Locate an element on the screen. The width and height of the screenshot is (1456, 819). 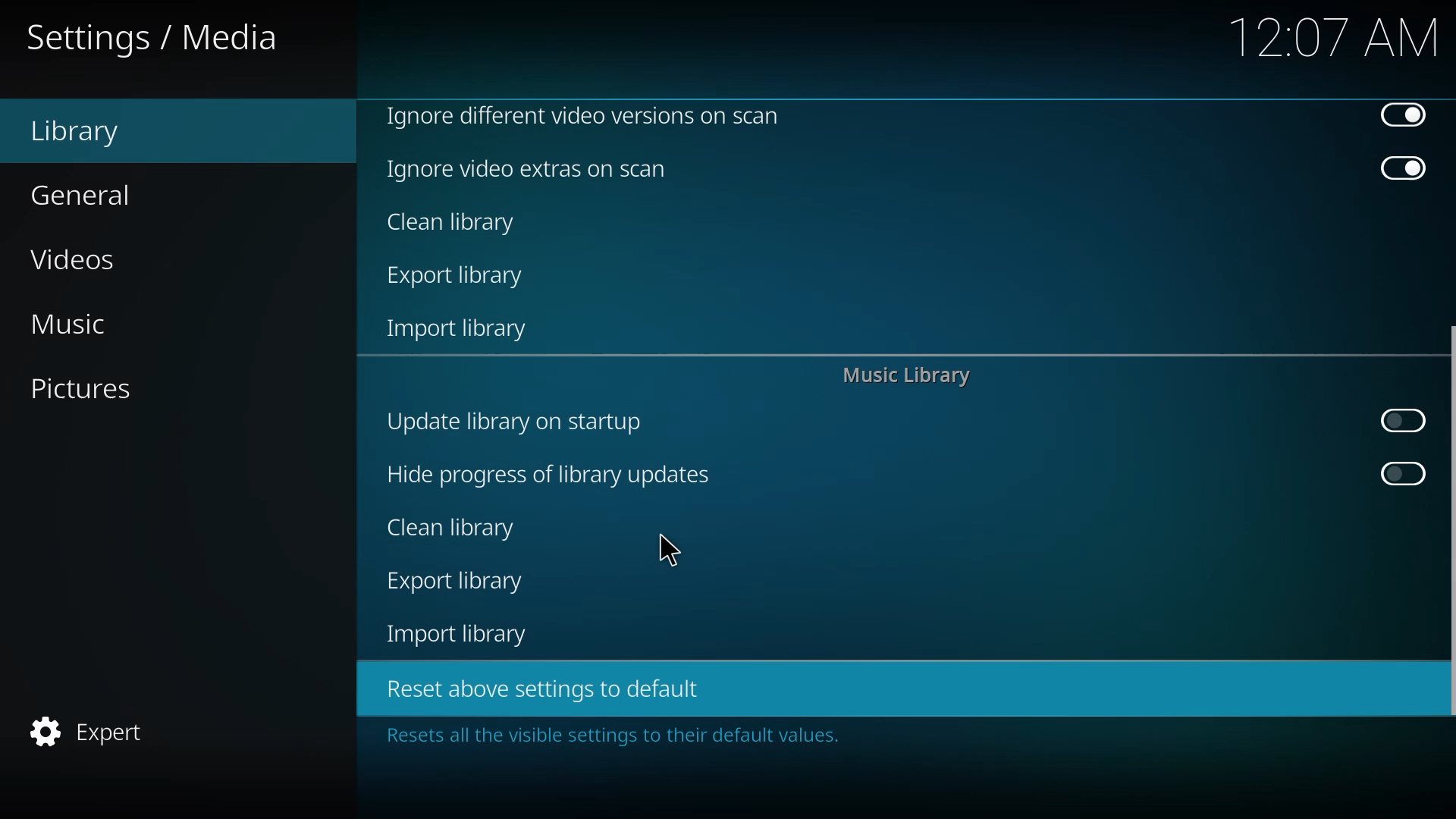
disabled is located at coordinates (1402, 116).